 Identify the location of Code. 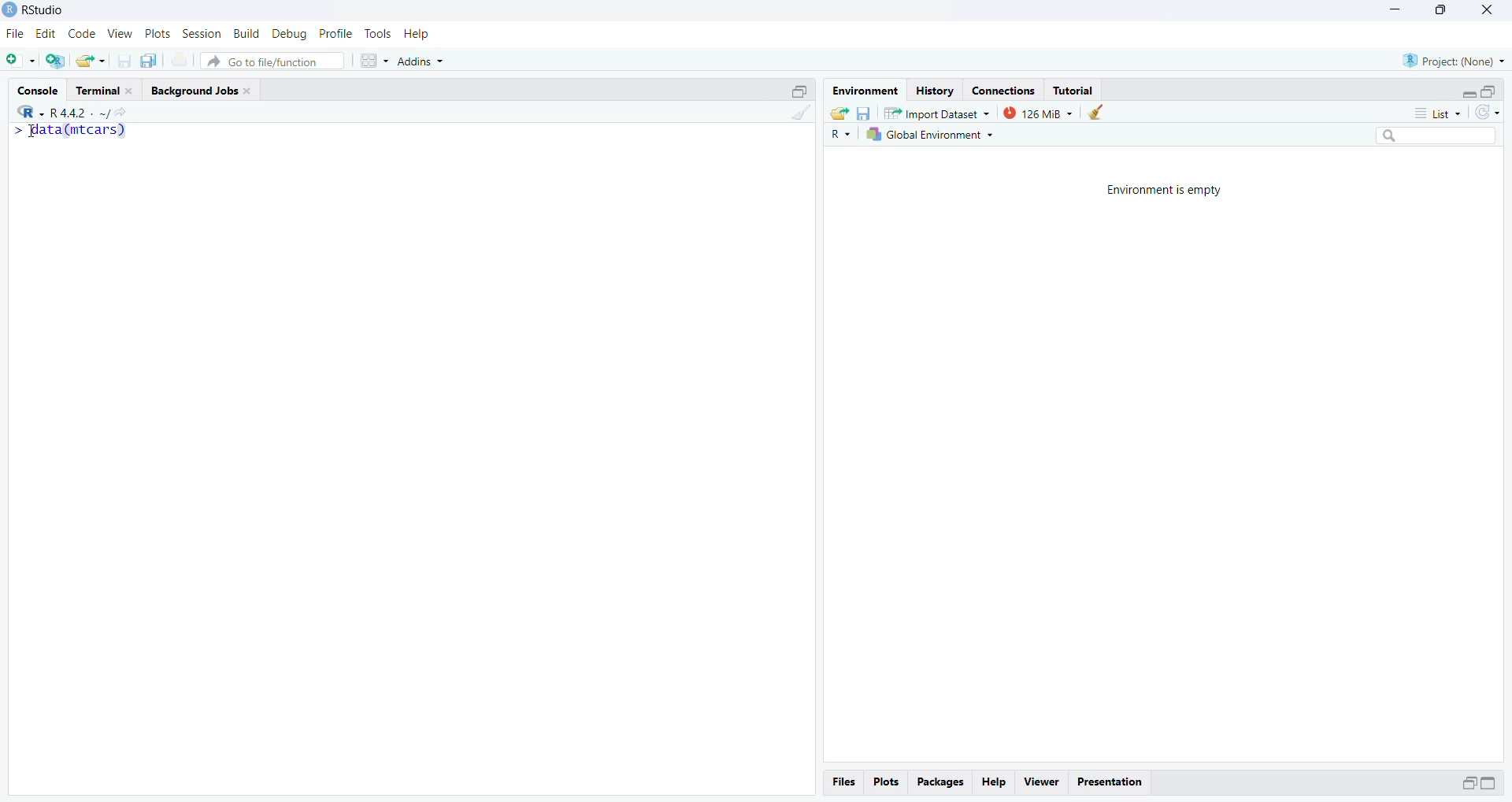
(81, 34).